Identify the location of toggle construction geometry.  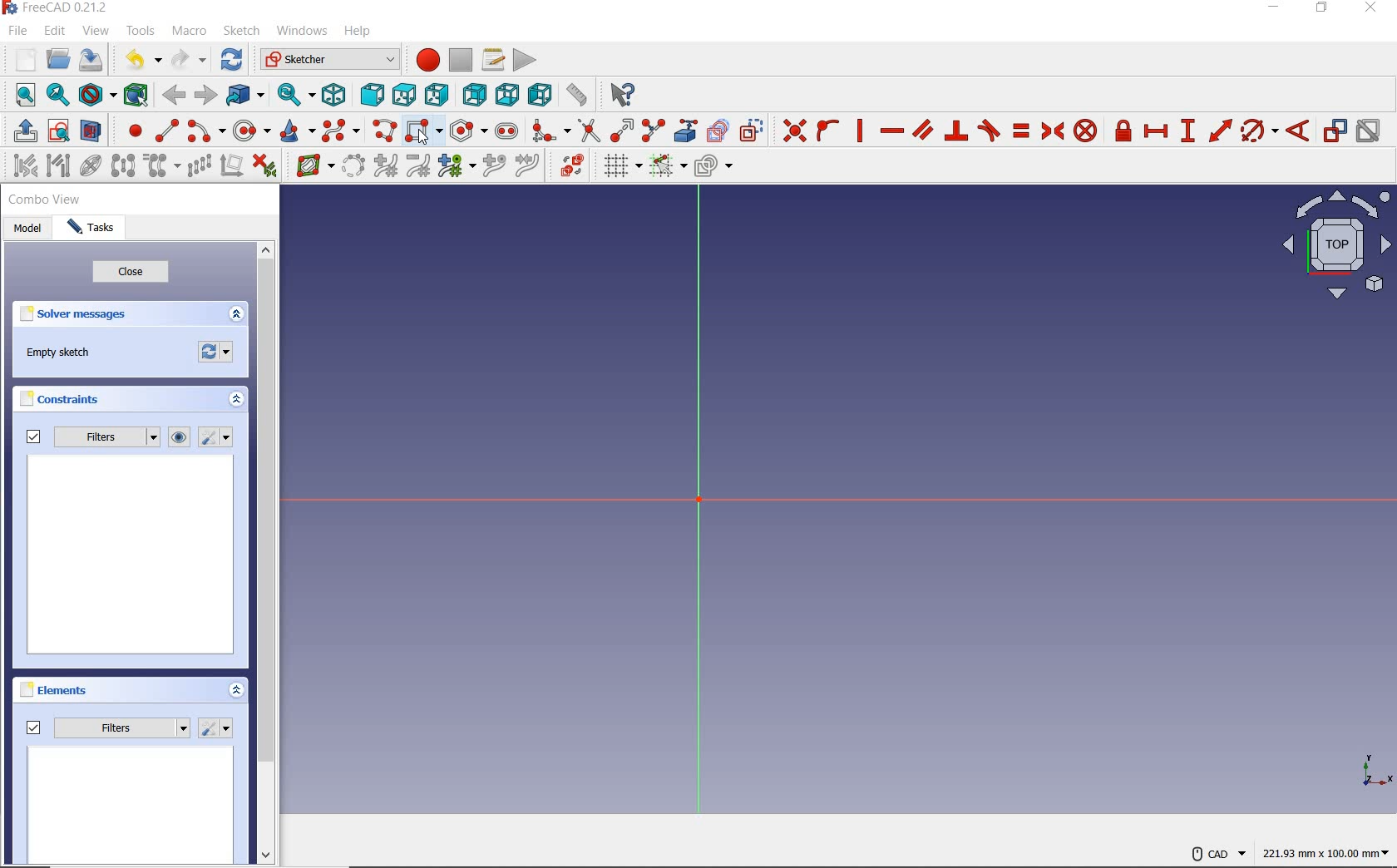
(751, 129).